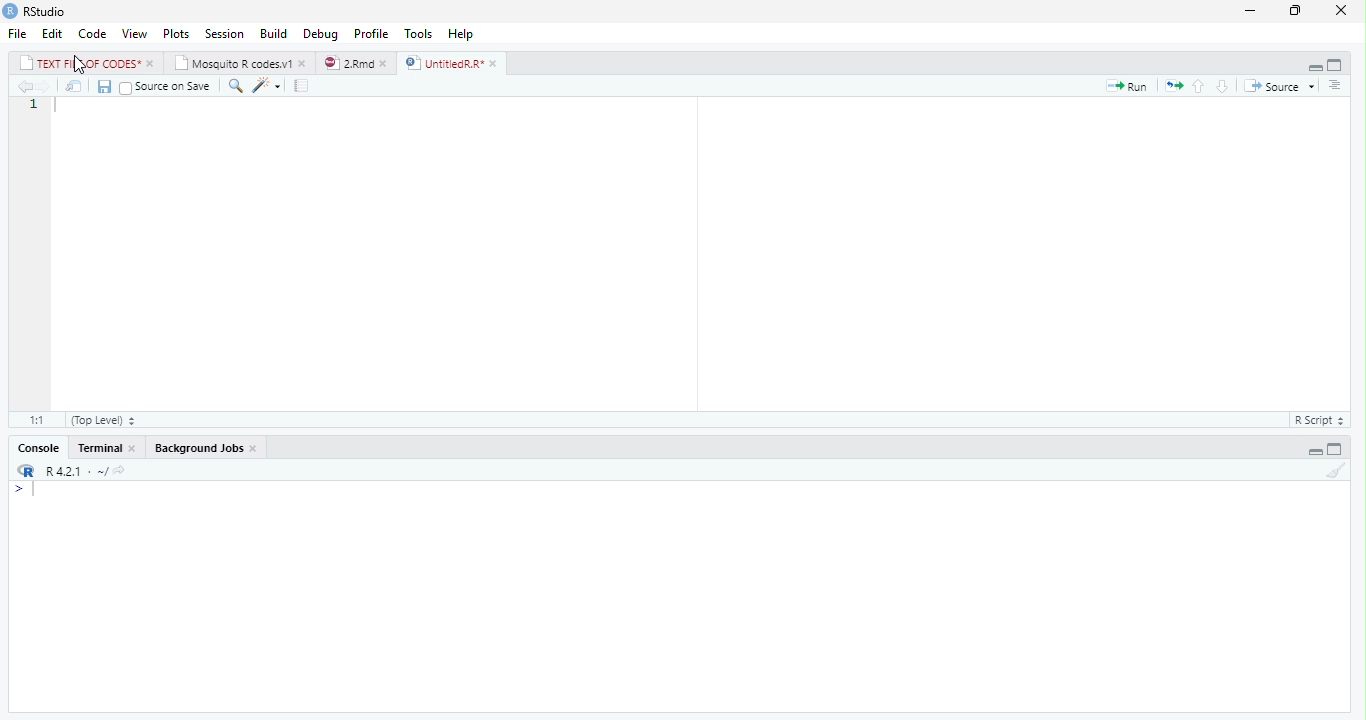 This screenshot has width=1366, height=720. Describe the element at coordinates (355, 63) in the screenshot. I see `2.Rmd` at that location.